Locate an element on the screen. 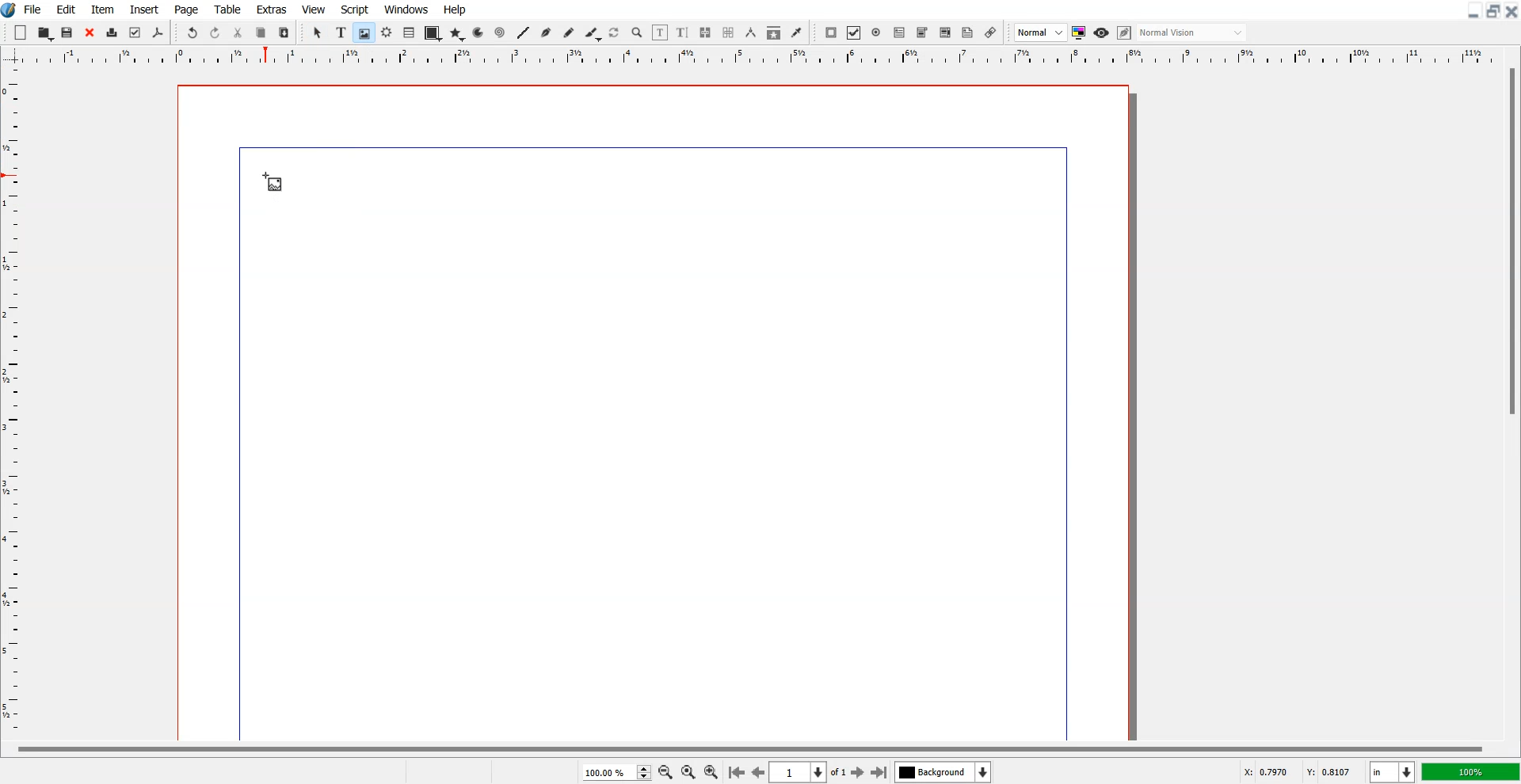 The width and height of the screenshot is (1521, 784). Add is located at coordinates (21, 32).